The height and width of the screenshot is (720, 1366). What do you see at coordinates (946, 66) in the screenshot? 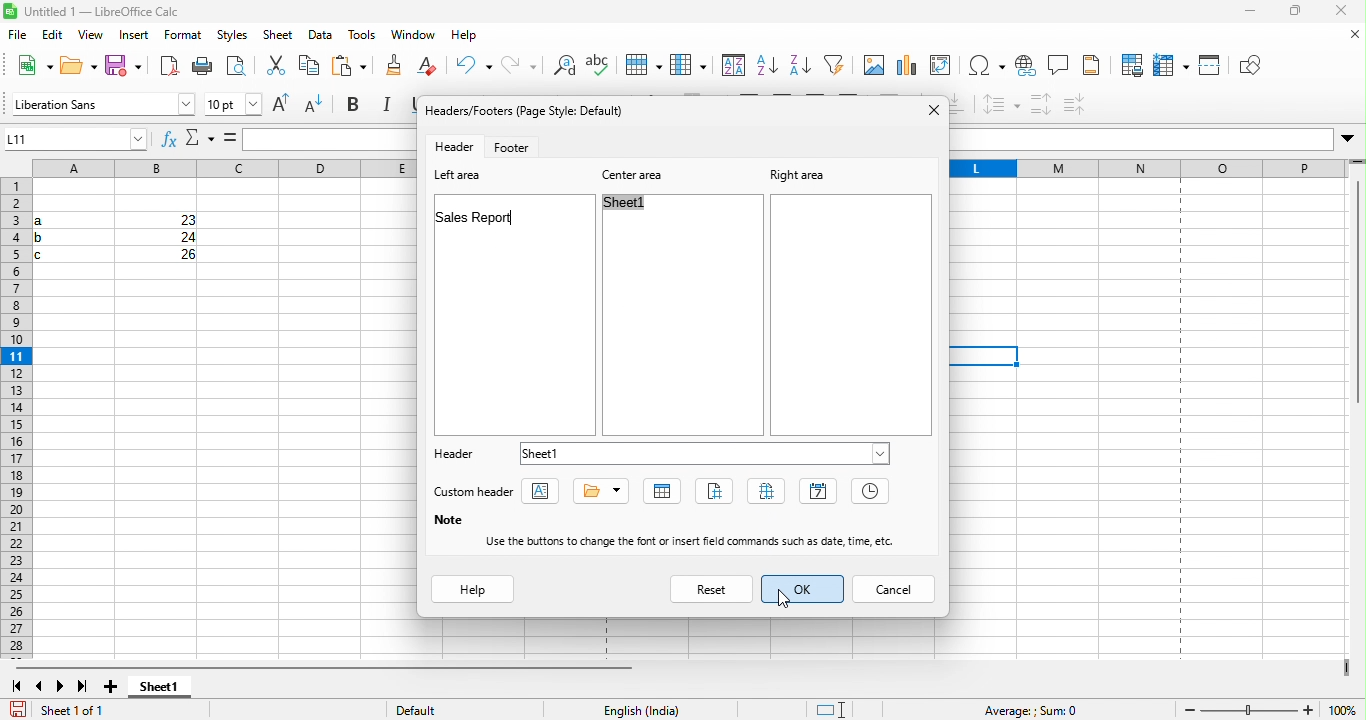
I see `edit pivot table` at bounding box center [946, 66].